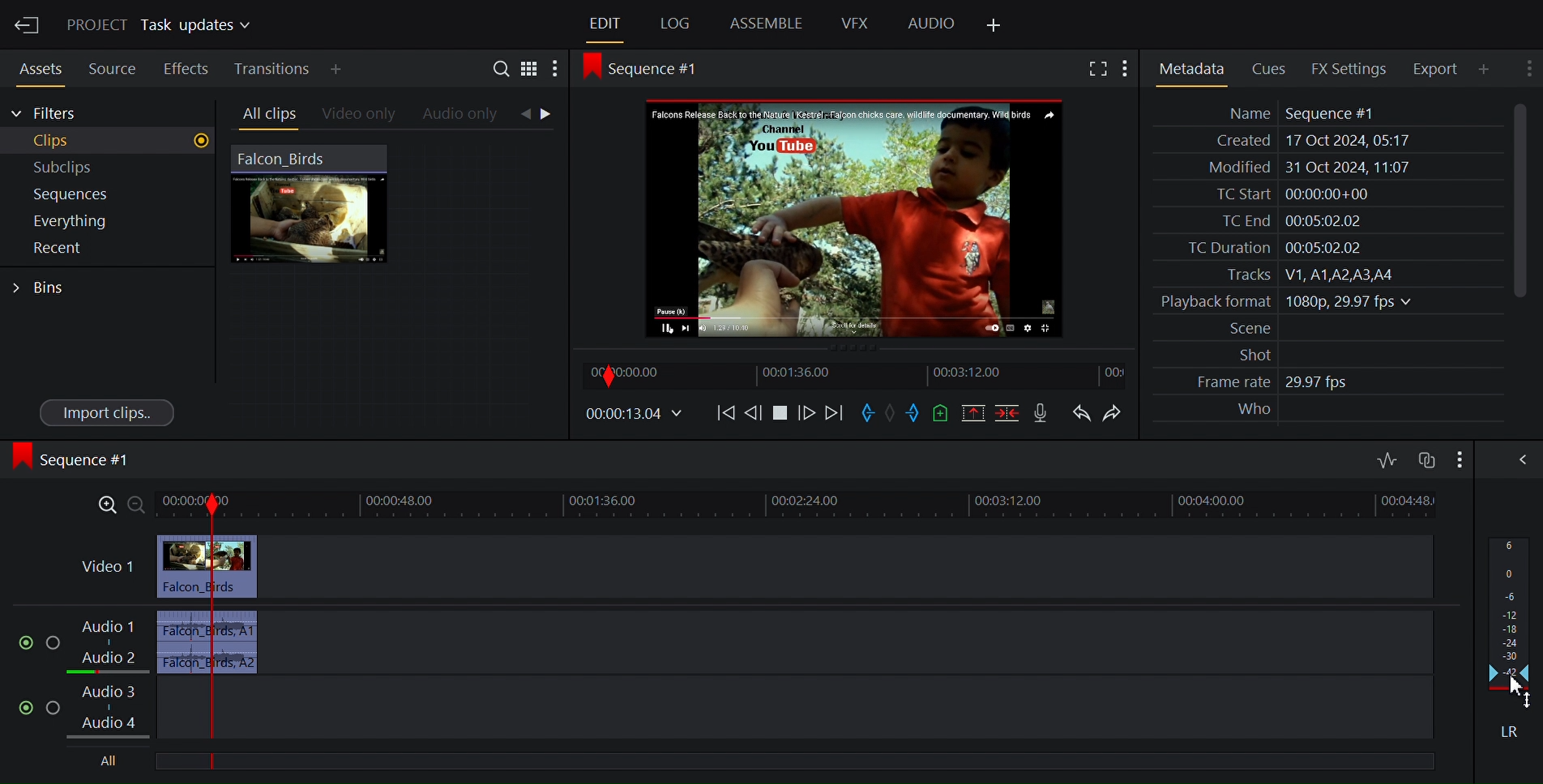 The height and width of the screenshot is (784, 1543). What do you see at coordinates (972, 413) in the screenshot?
I see `Remove all marked sections` at bounding box center [972, 413].